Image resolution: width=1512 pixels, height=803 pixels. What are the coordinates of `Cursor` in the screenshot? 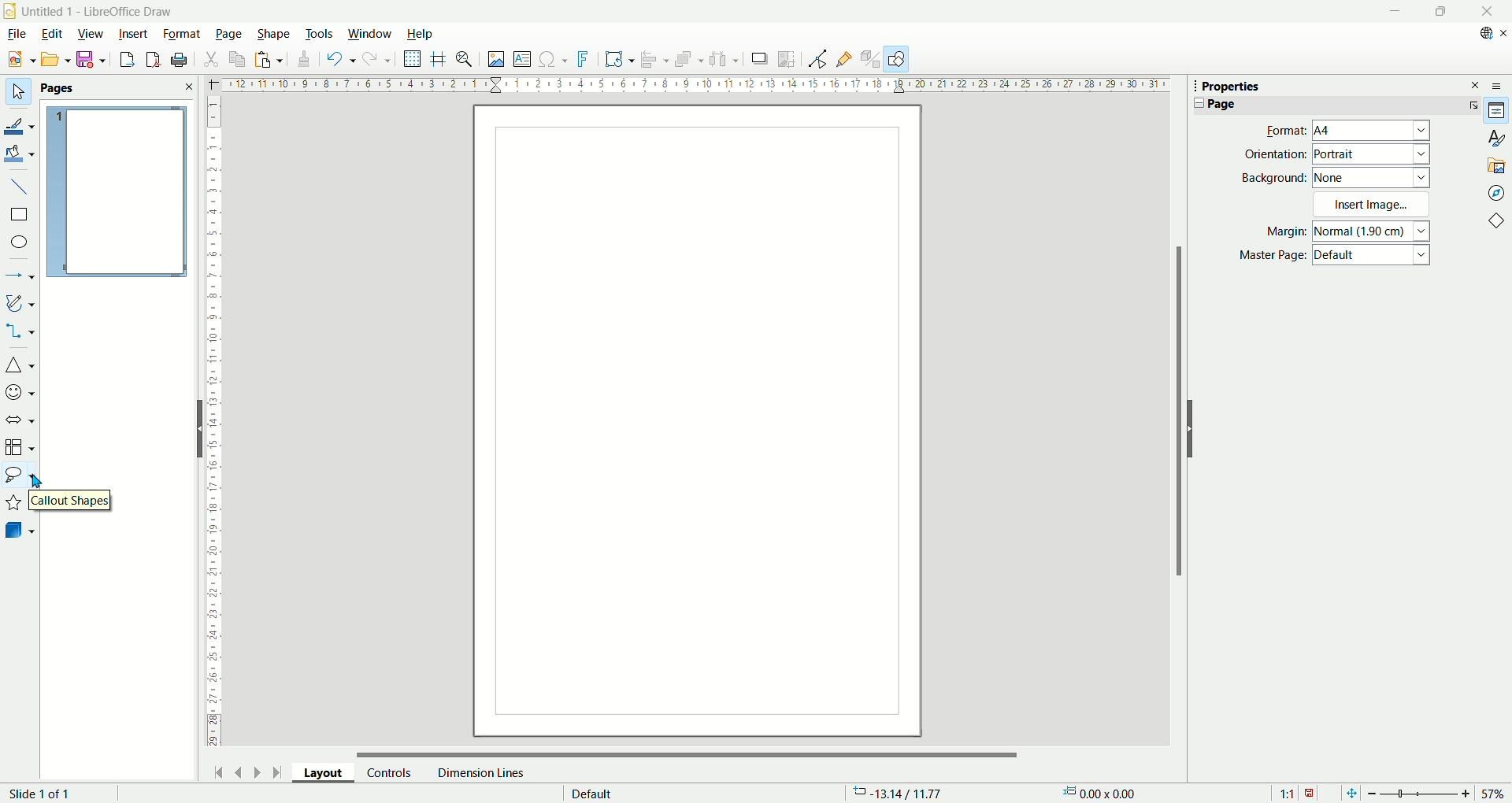 It's located at (39, 479).